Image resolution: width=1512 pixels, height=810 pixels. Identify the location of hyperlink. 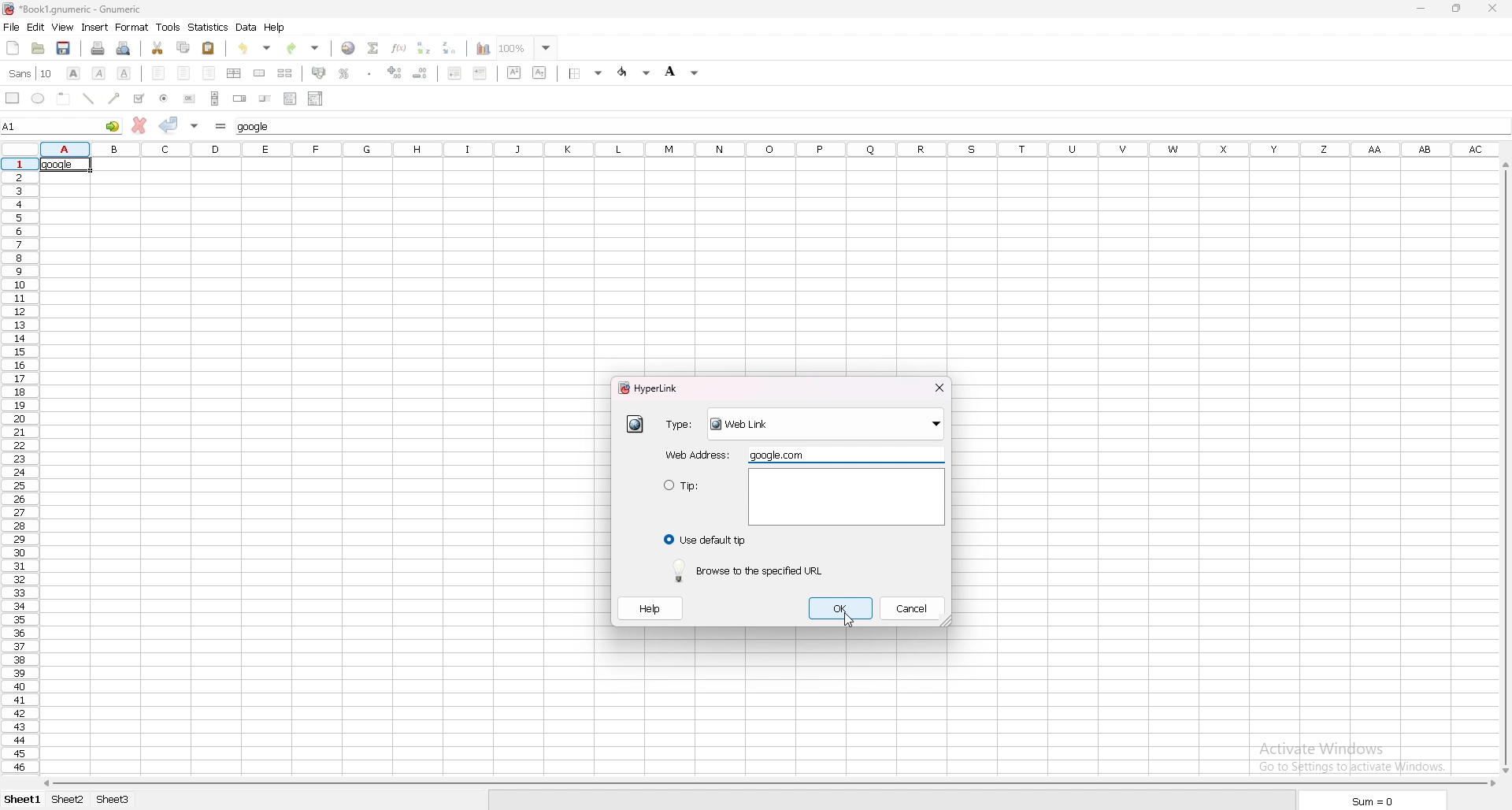
(636, 425).